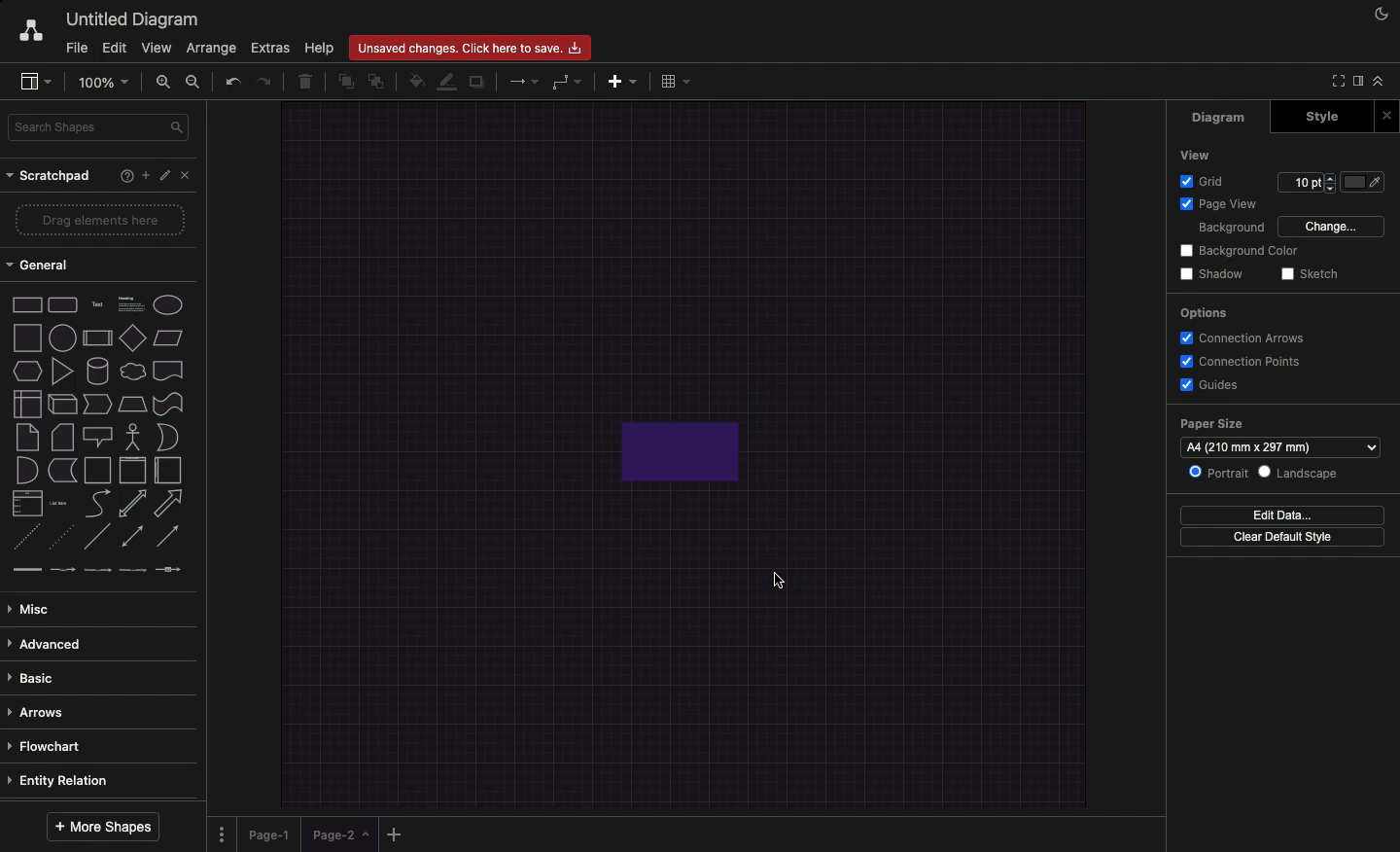 This screenshot has width=1400, height=852. What do you see at coordinates (1243, 251) in the screenshot?
I see `Background color` at bounding box center [1243, 251].